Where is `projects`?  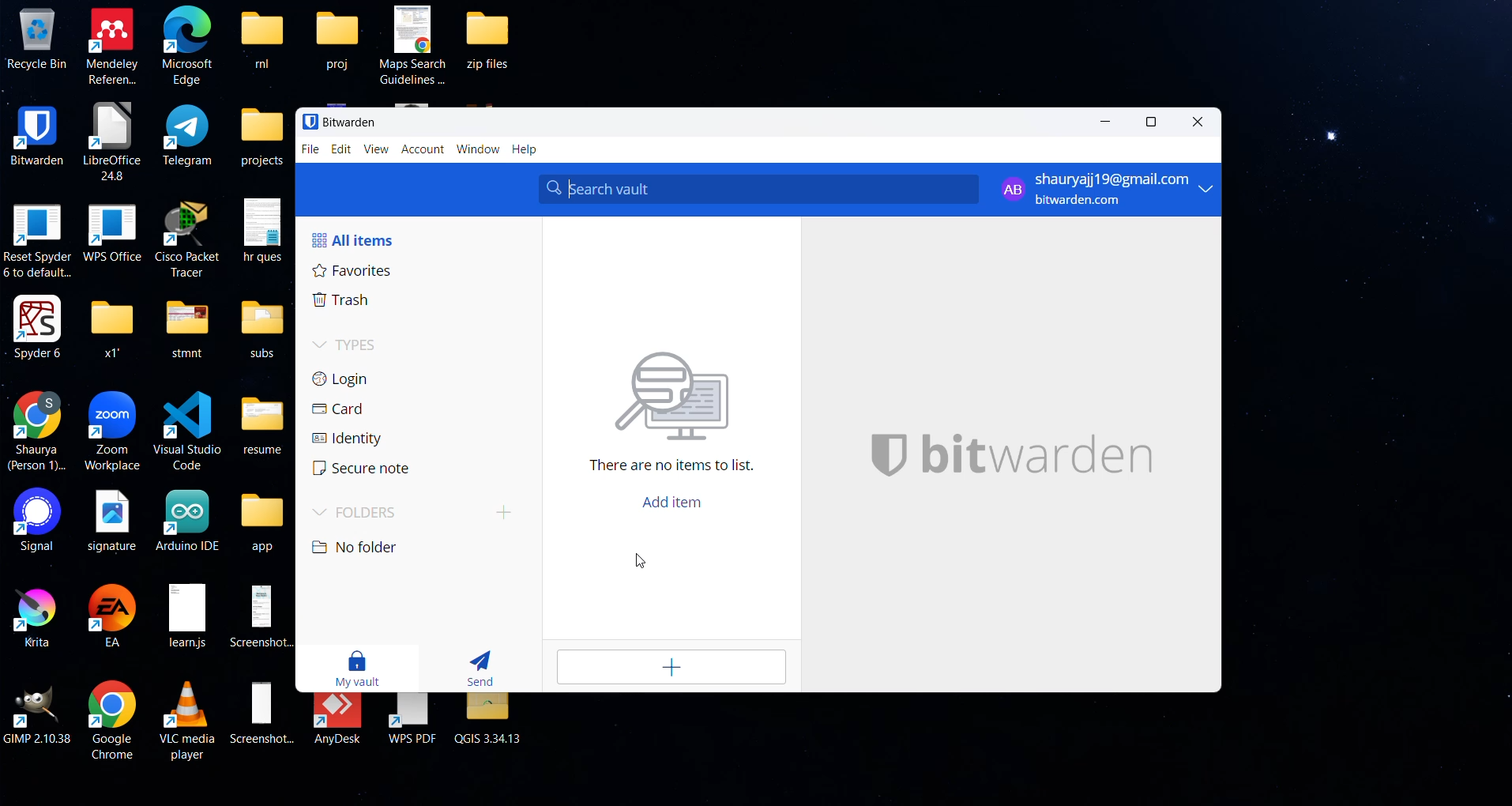
projects is located at coordinates (262, 137).